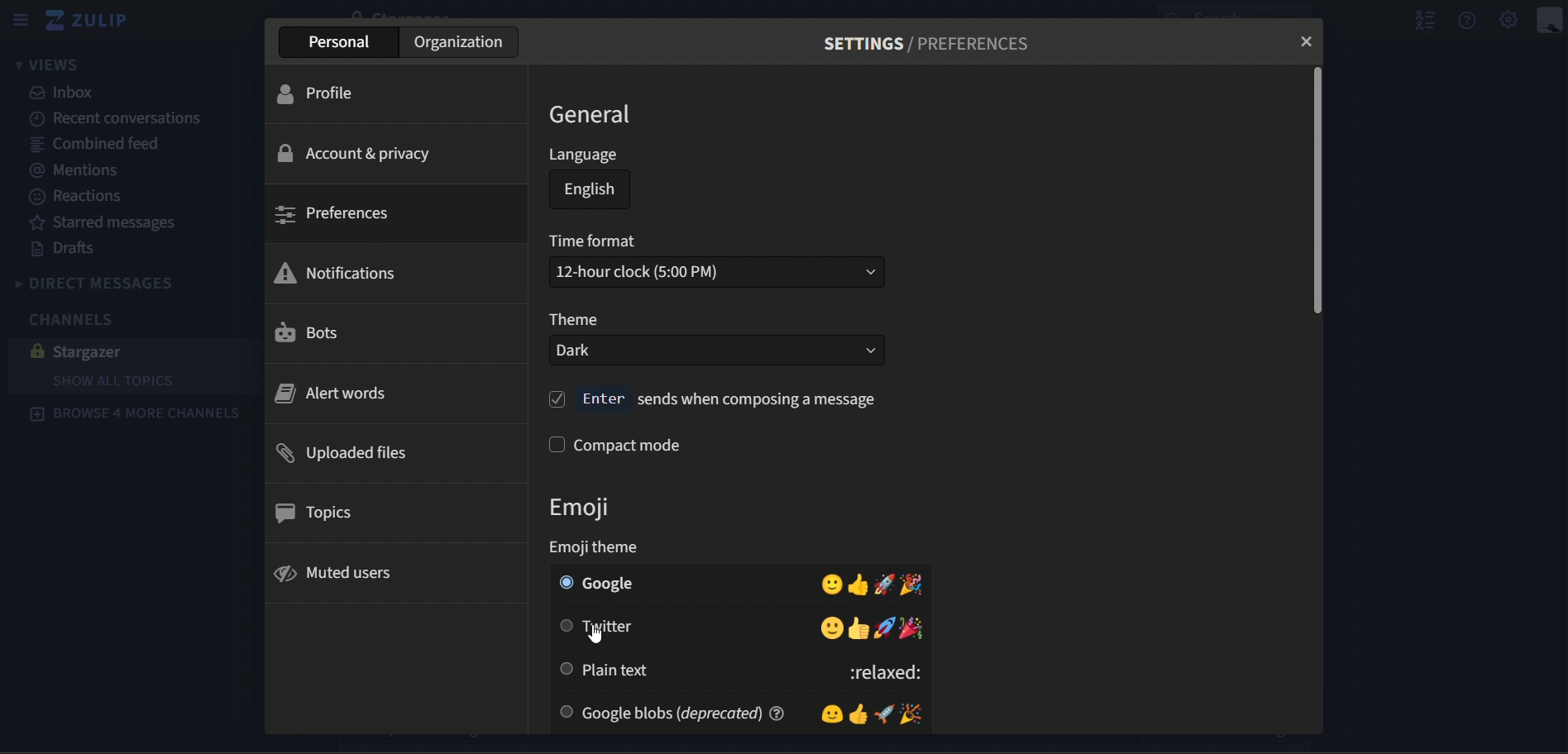  Describe the element at coordinates (1307, 40) in the screenshot. I see `close` at that location.